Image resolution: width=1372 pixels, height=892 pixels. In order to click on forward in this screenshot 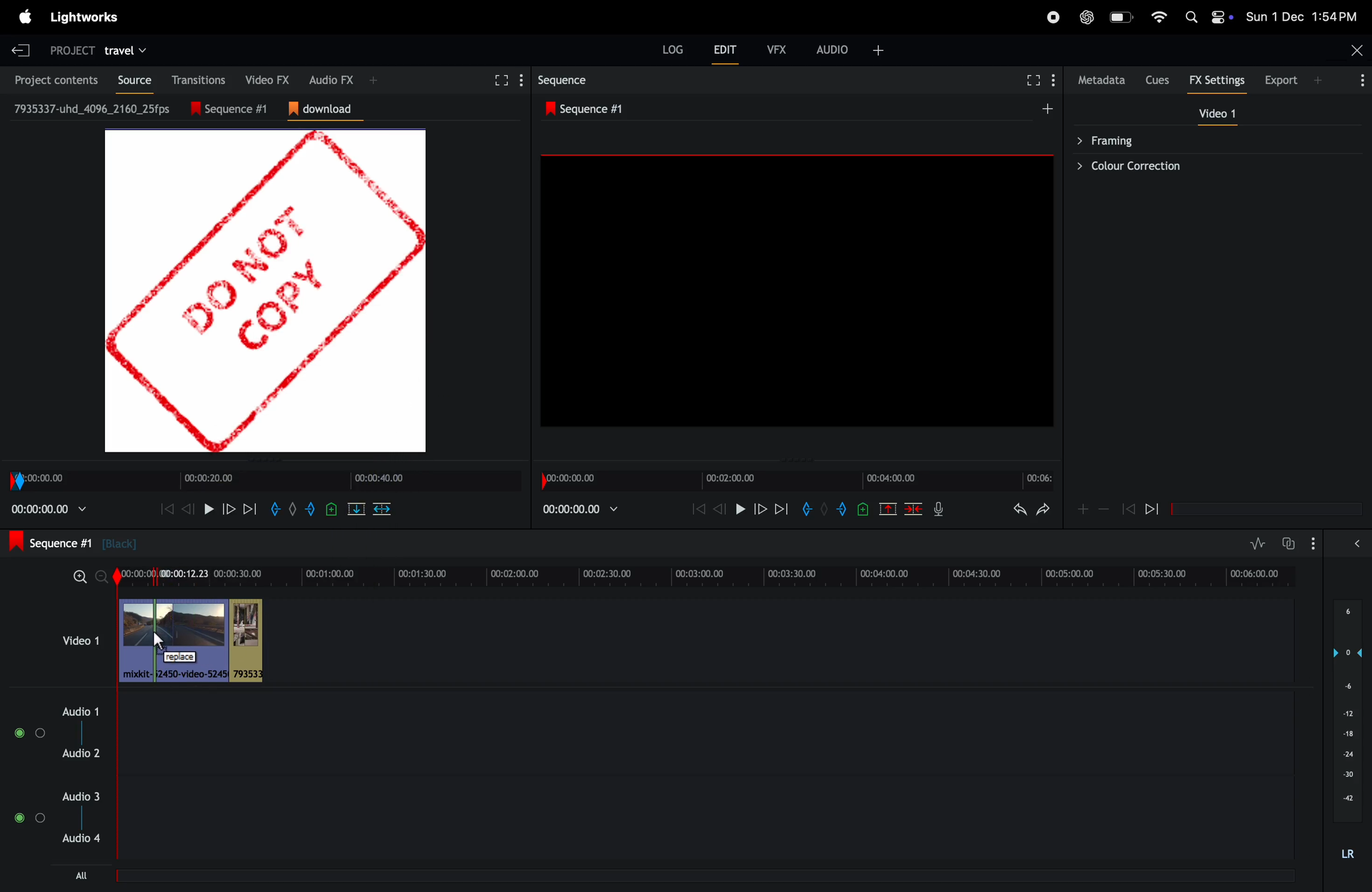, I will do `click(760, 508)`.